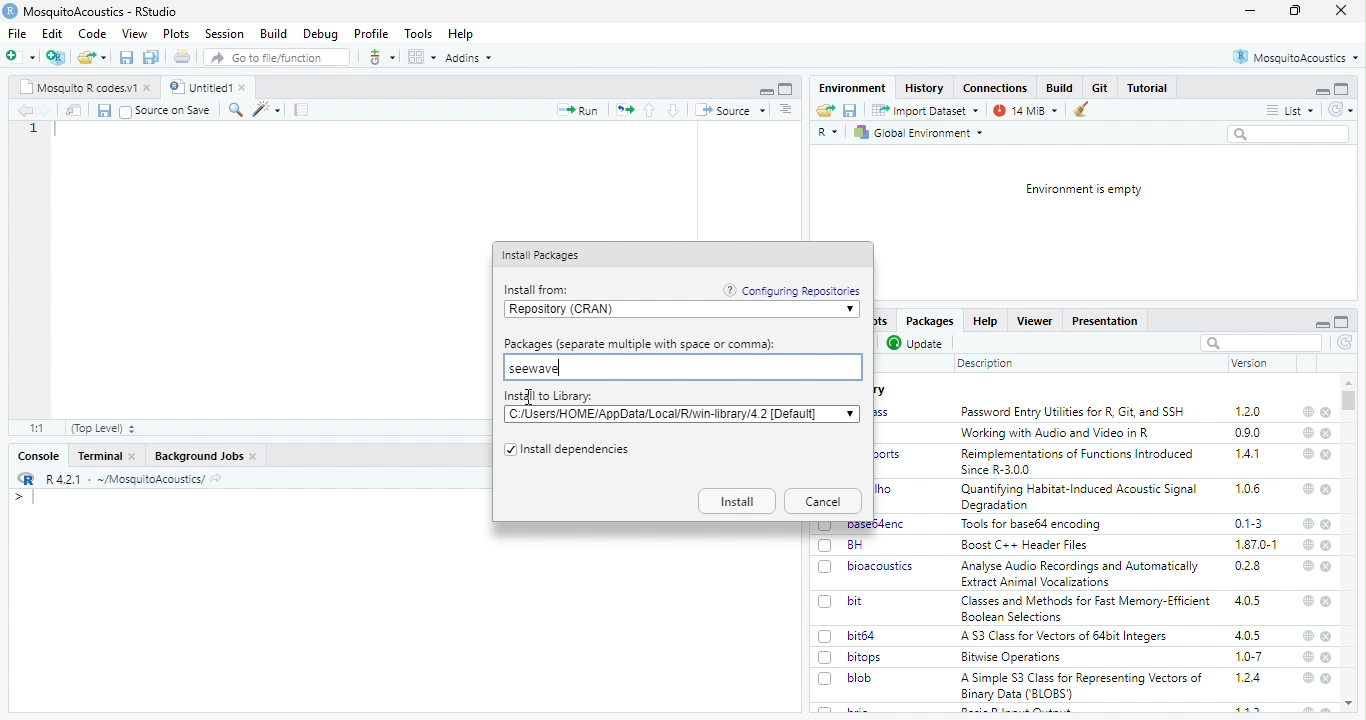 Image resolution: width=1366 pixels, height=720 pixels. What do you see at coordinates (183, 56) in the screenshot?
I see `print` at bounding box center [183, 56].